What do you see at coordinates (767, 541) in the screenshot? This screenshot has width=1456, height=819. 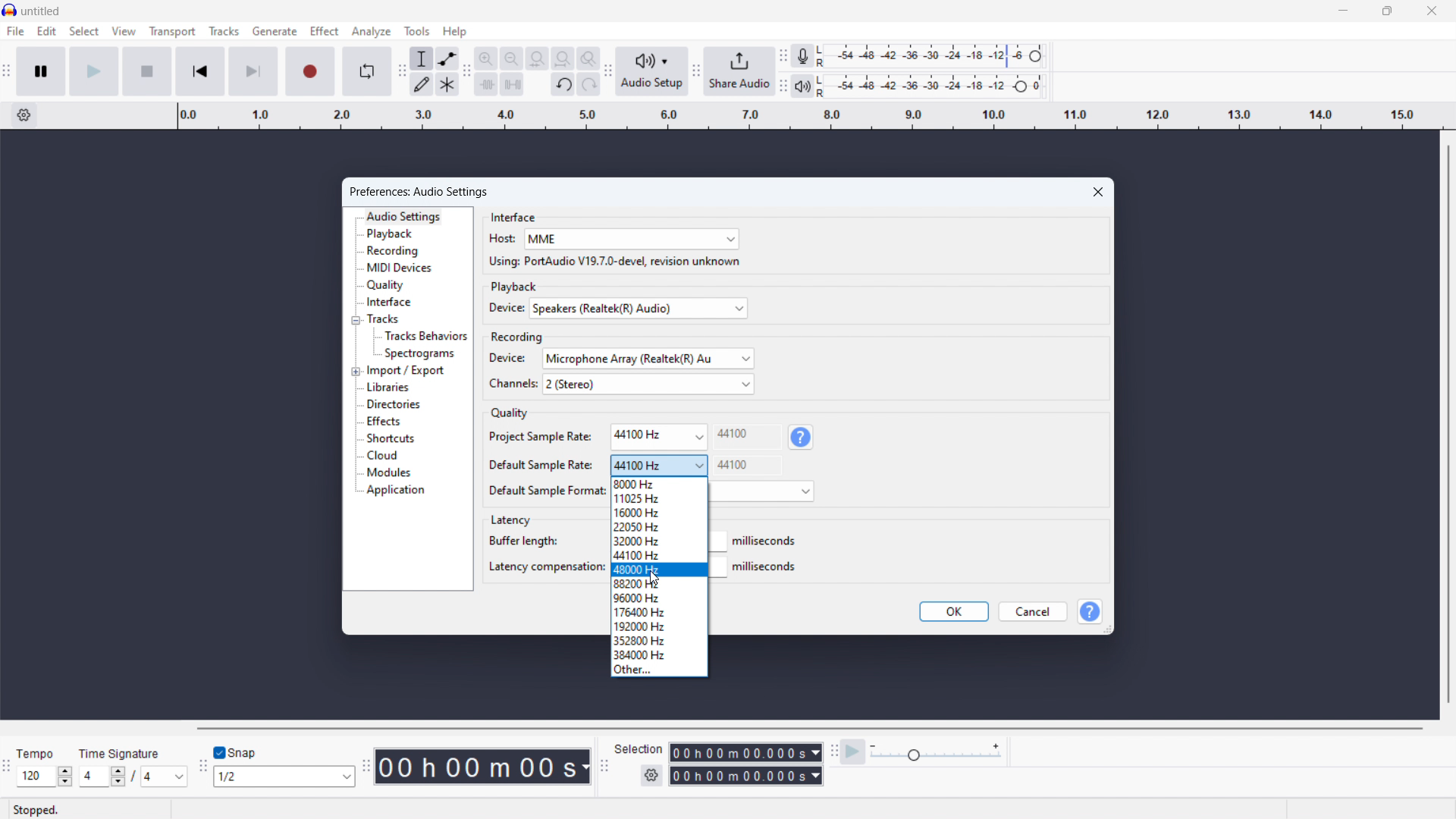 I see `milliseconds` at bounding box center [767, 541].